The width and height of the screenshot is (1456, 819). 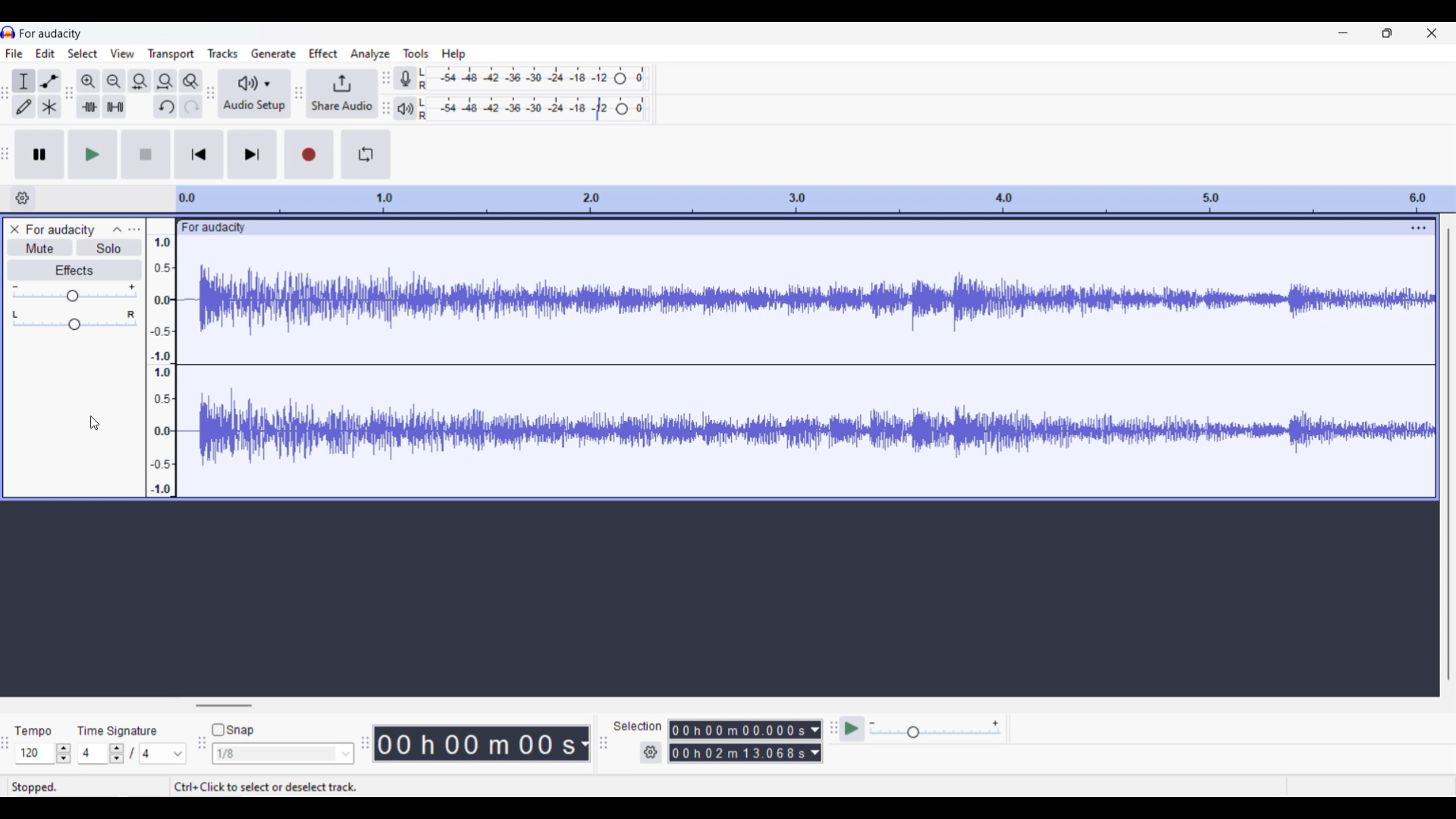 I want to click on For audacity, so click(x=51, y=34).